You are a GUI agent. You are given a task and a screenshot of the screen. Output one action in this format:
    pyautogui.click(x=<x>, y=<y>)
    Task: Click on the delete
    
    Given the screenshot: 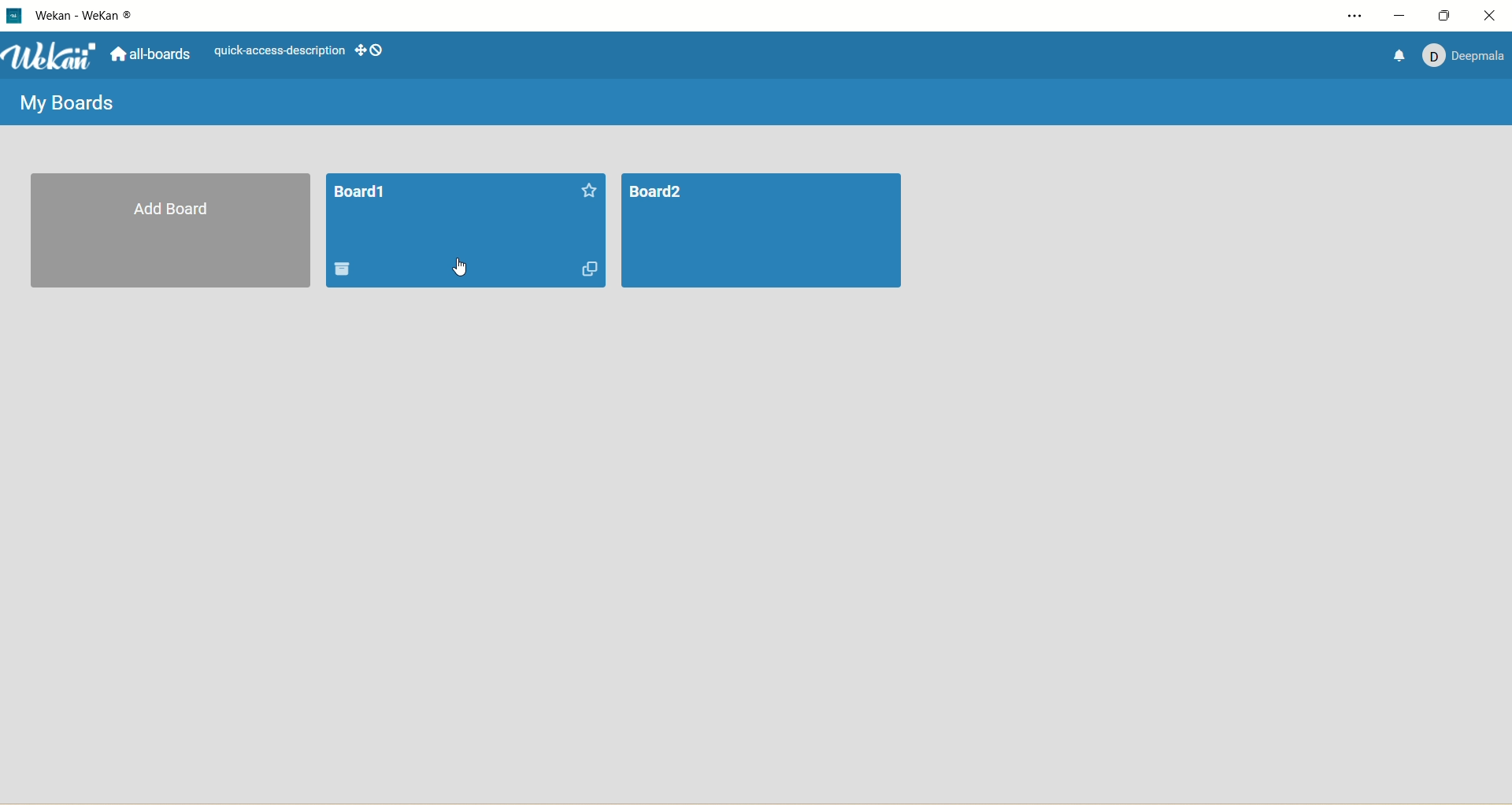 What is the action you would take?
    pyautogui.click(x=346, y=269)
    